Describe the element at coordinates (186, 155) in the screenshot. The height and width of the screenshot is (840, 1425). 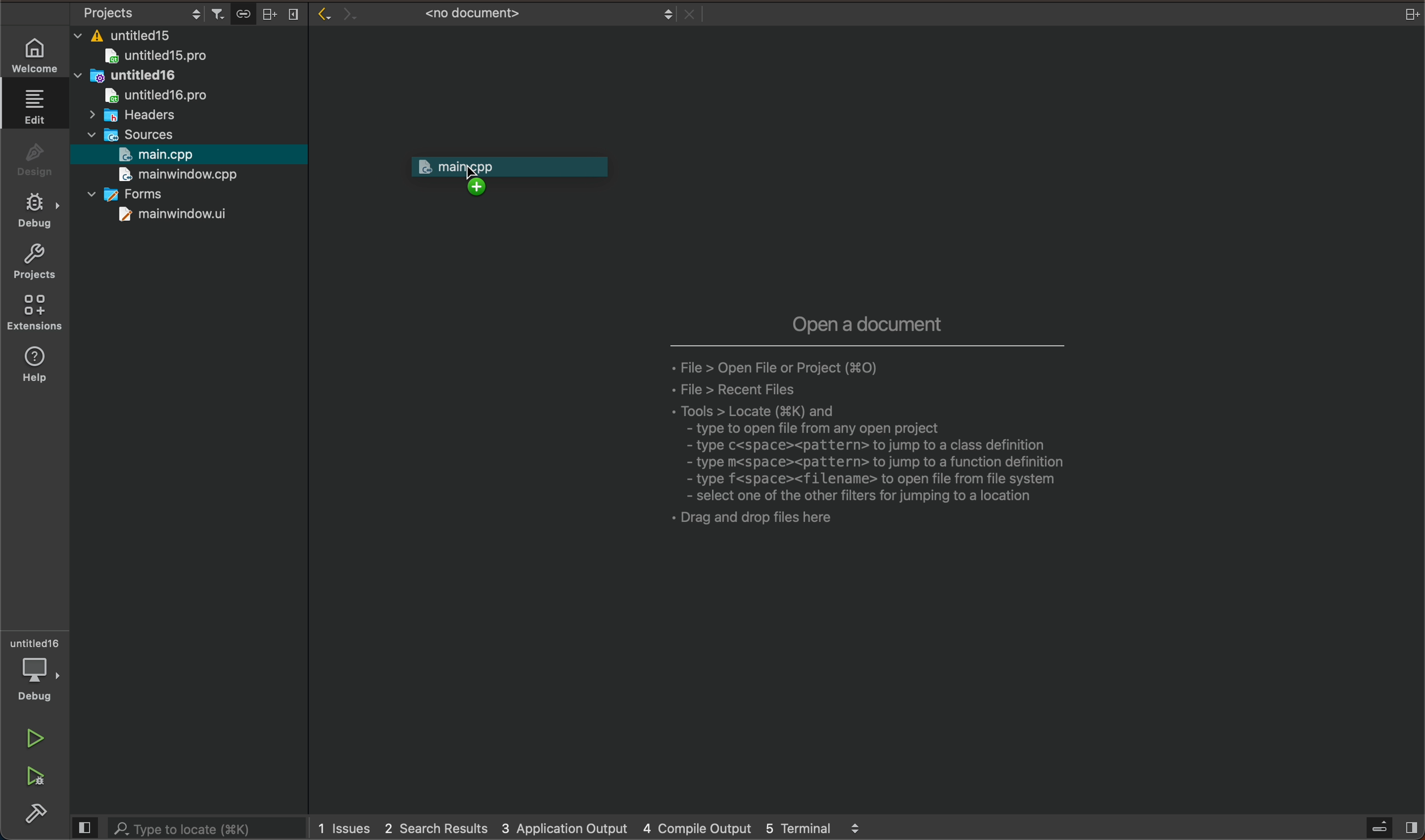
I see `selected file` at that location.